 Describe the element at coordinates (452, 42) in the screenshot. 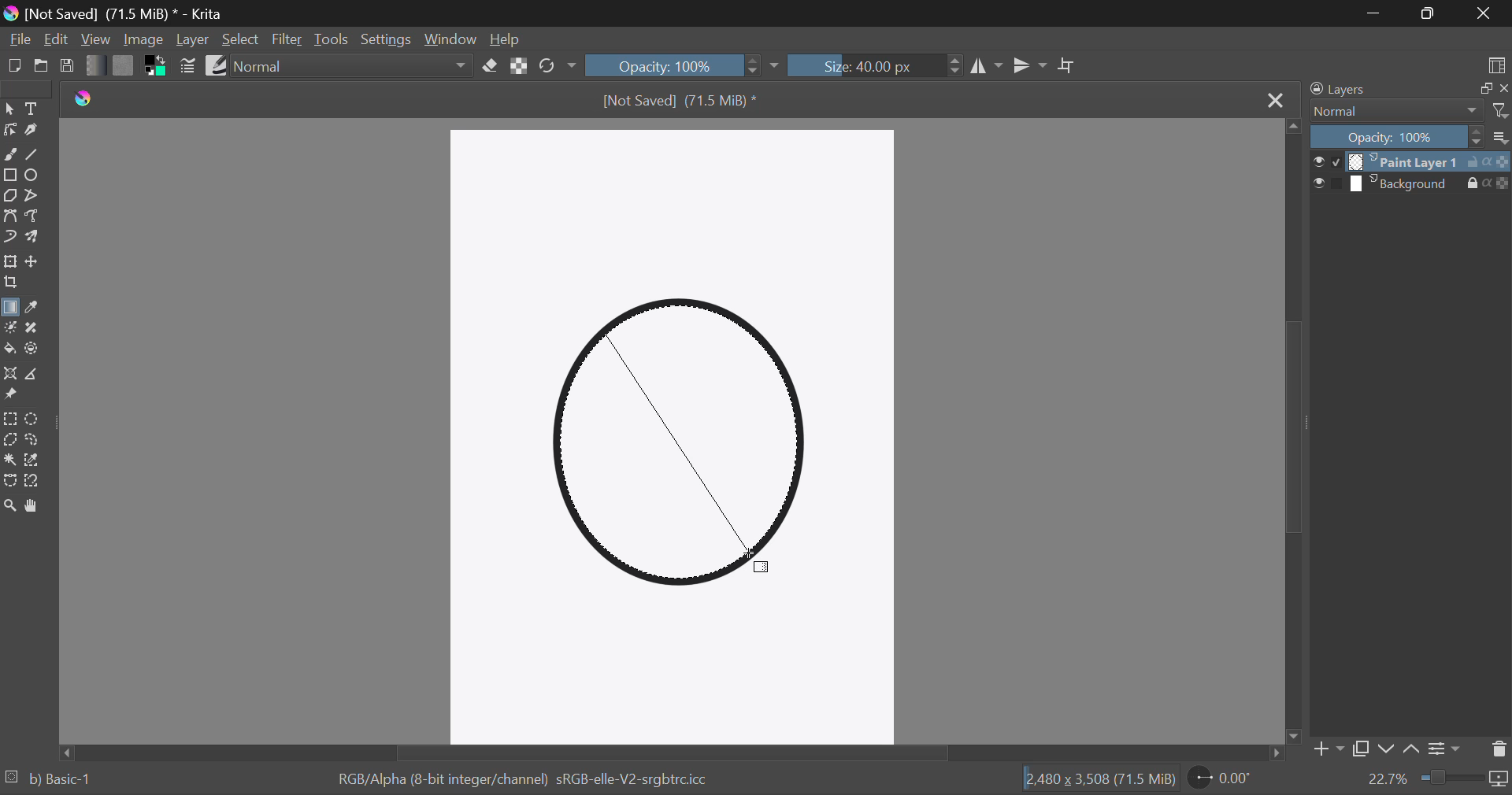

I see `Window` at that location.